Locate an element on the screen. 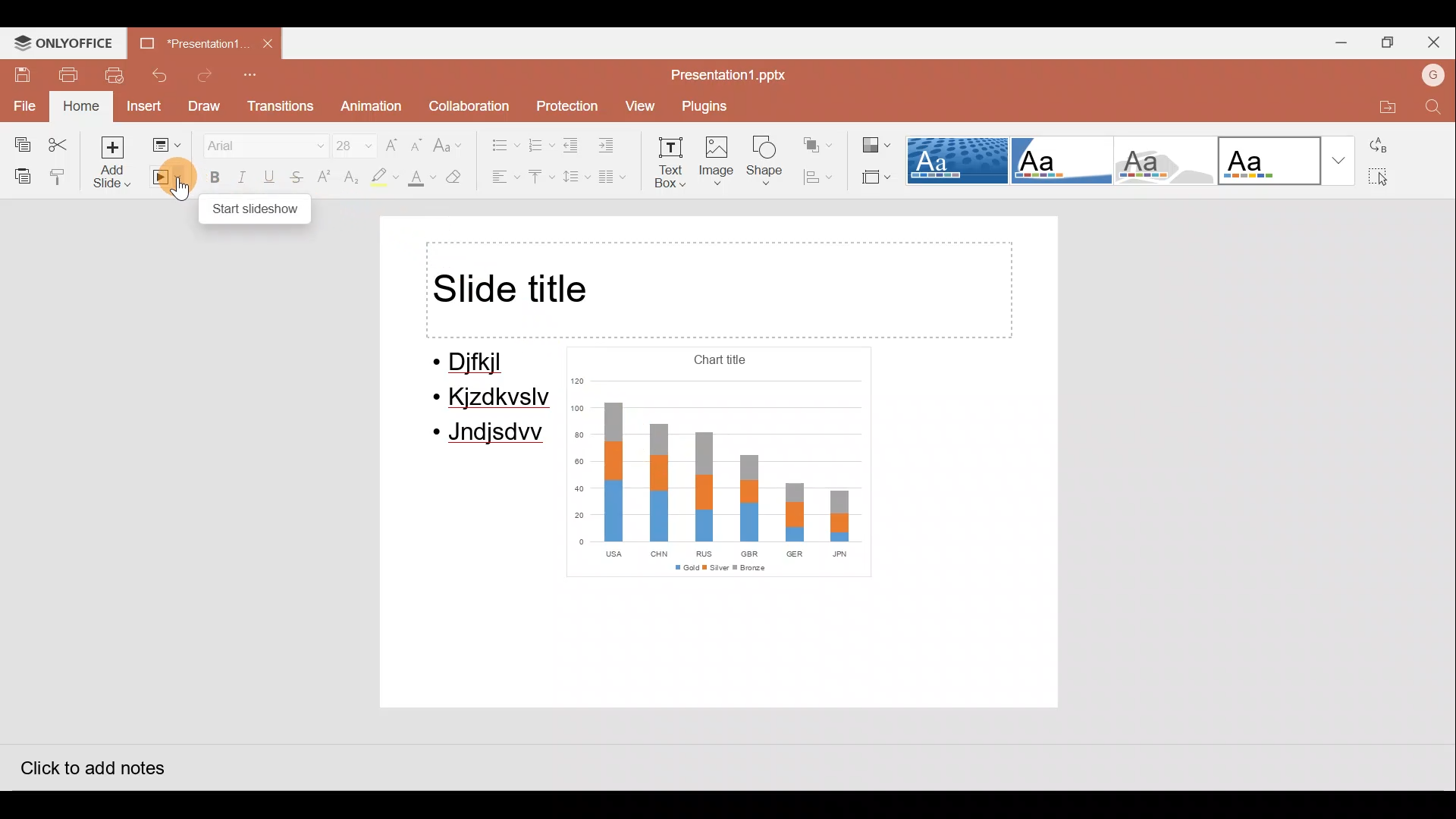 The height and width of the screenshot is (819, 1456). Decrease indent is located at coordinates (570, 145).